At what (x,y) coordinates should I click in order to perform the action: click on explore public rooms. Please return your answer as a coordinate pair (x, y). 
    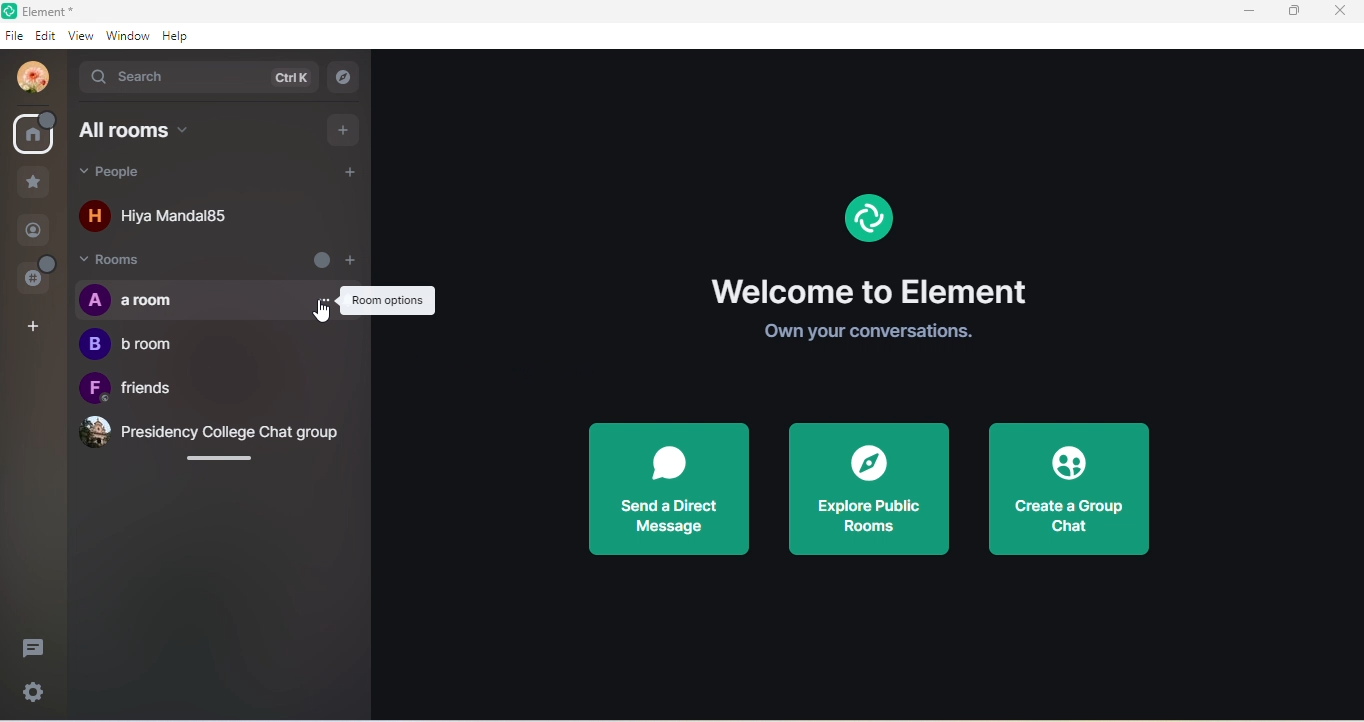
    Looking at the image, I should click on (868, 487).